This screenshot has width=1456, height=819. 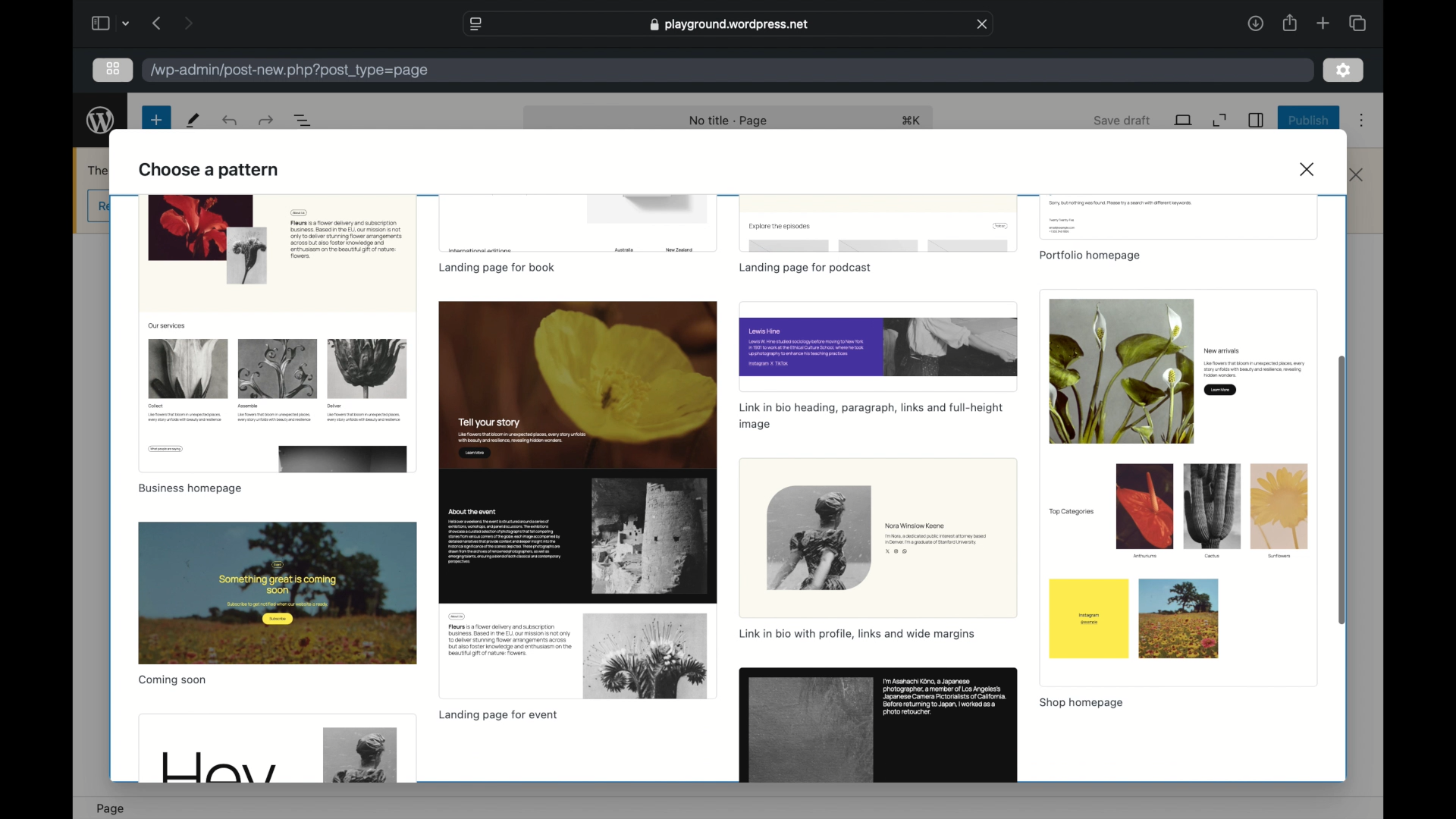 I want to click on save draft, so click(x=1122, y=120).